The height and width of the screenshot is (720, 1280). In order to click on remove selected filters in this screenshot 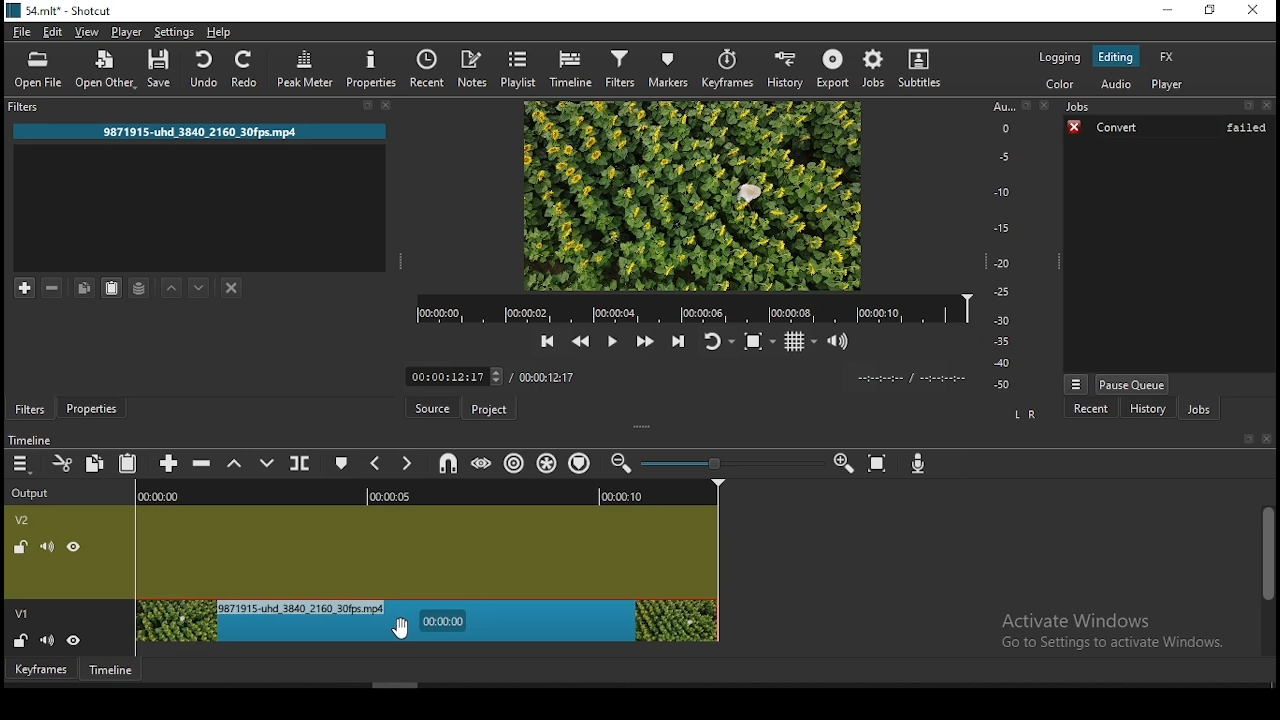, I will do `click(55, 286)`.